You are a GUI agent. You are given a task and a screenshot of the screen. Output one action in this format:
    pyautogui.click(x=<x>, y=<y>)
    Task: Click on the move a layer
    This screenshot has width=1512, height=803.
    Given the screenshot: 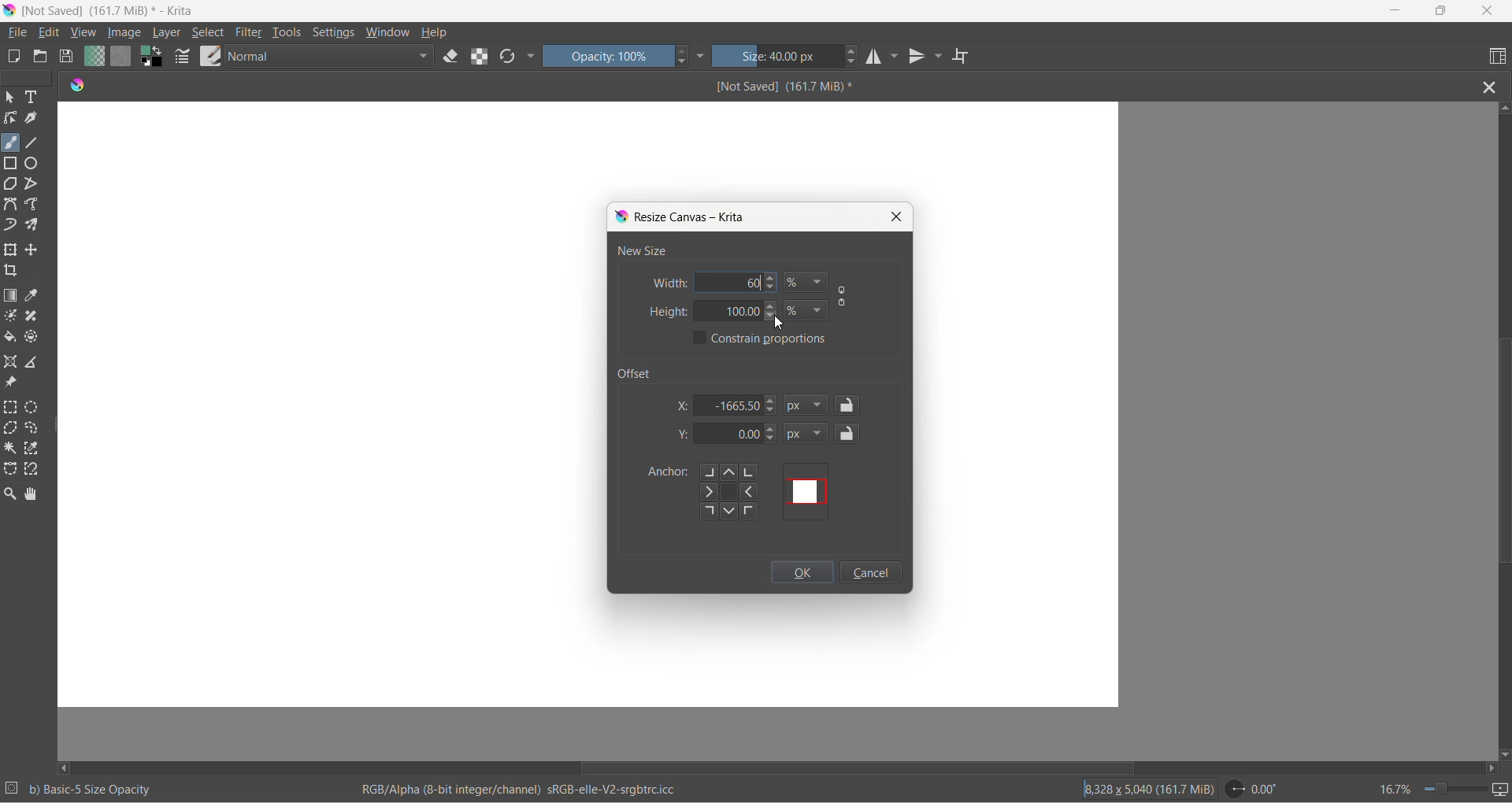 What is the action you would take?
    pyautogui.click(x=34, y=250)
    